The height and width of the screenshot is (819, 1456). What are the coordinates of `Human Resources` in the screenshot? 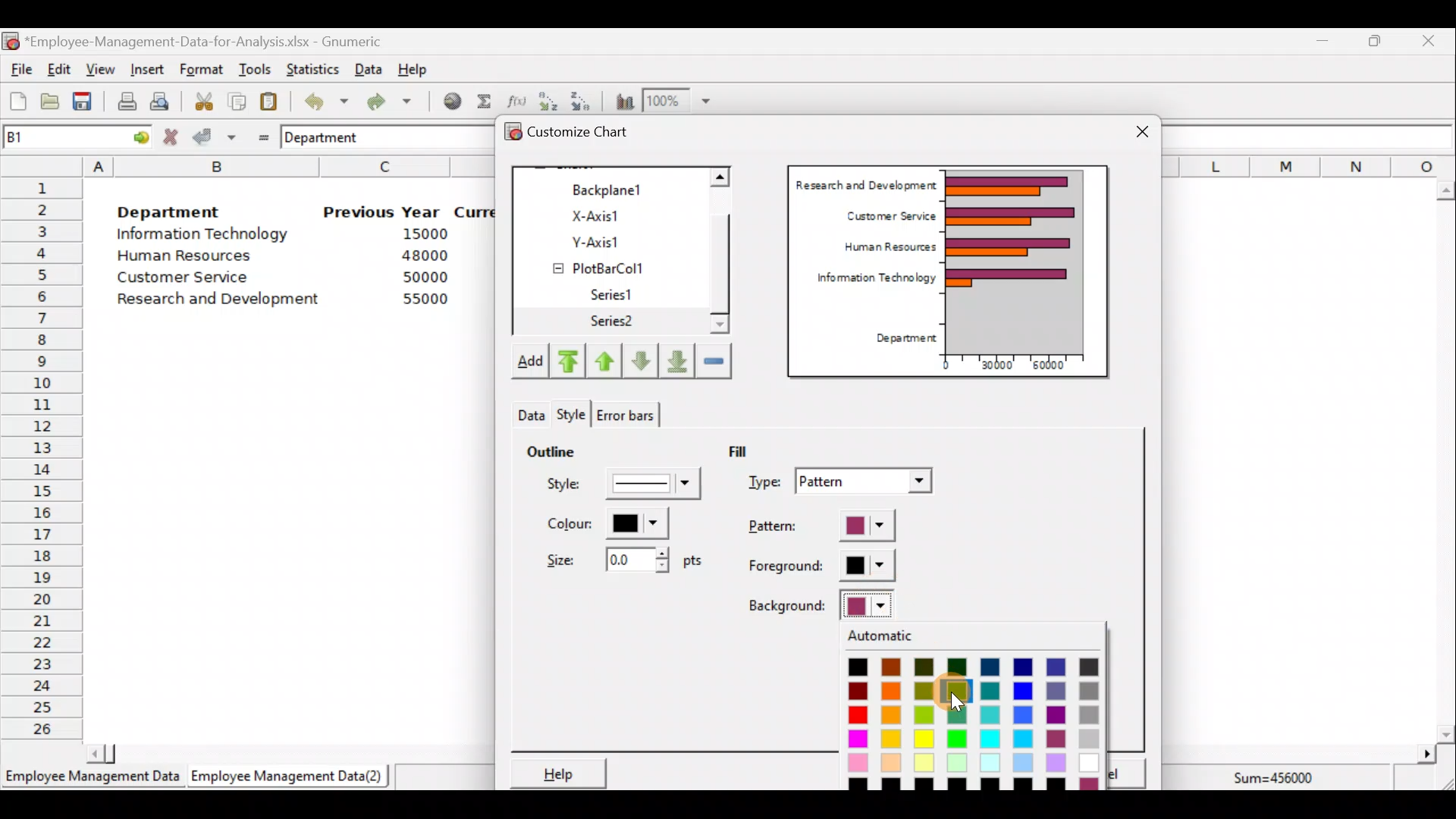 It's located at (192, 257).